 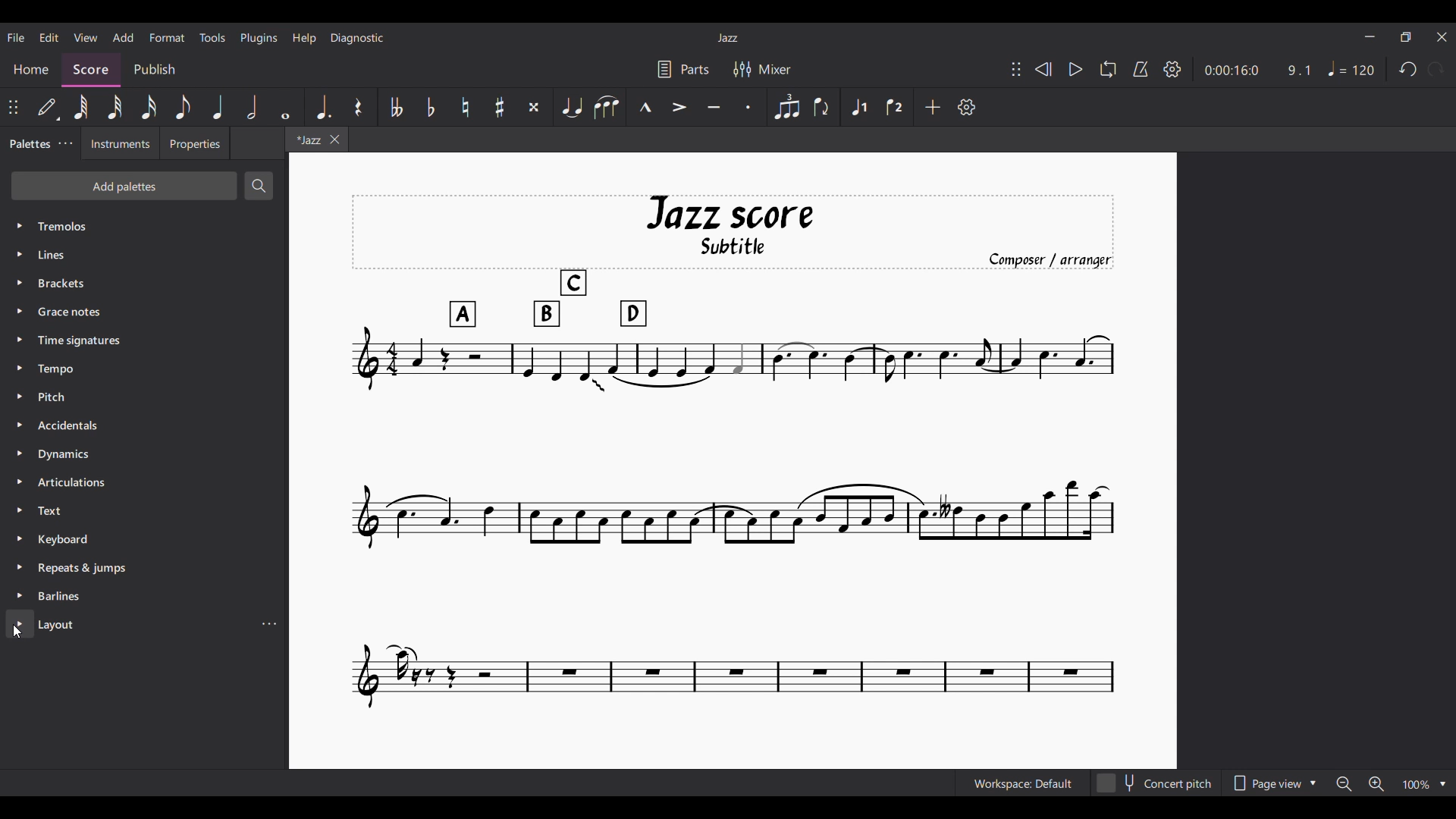 What do you see at coordinates (1344, 783) in the screenshot?
I see `Zoom out` at bounding box center [1344, 783].